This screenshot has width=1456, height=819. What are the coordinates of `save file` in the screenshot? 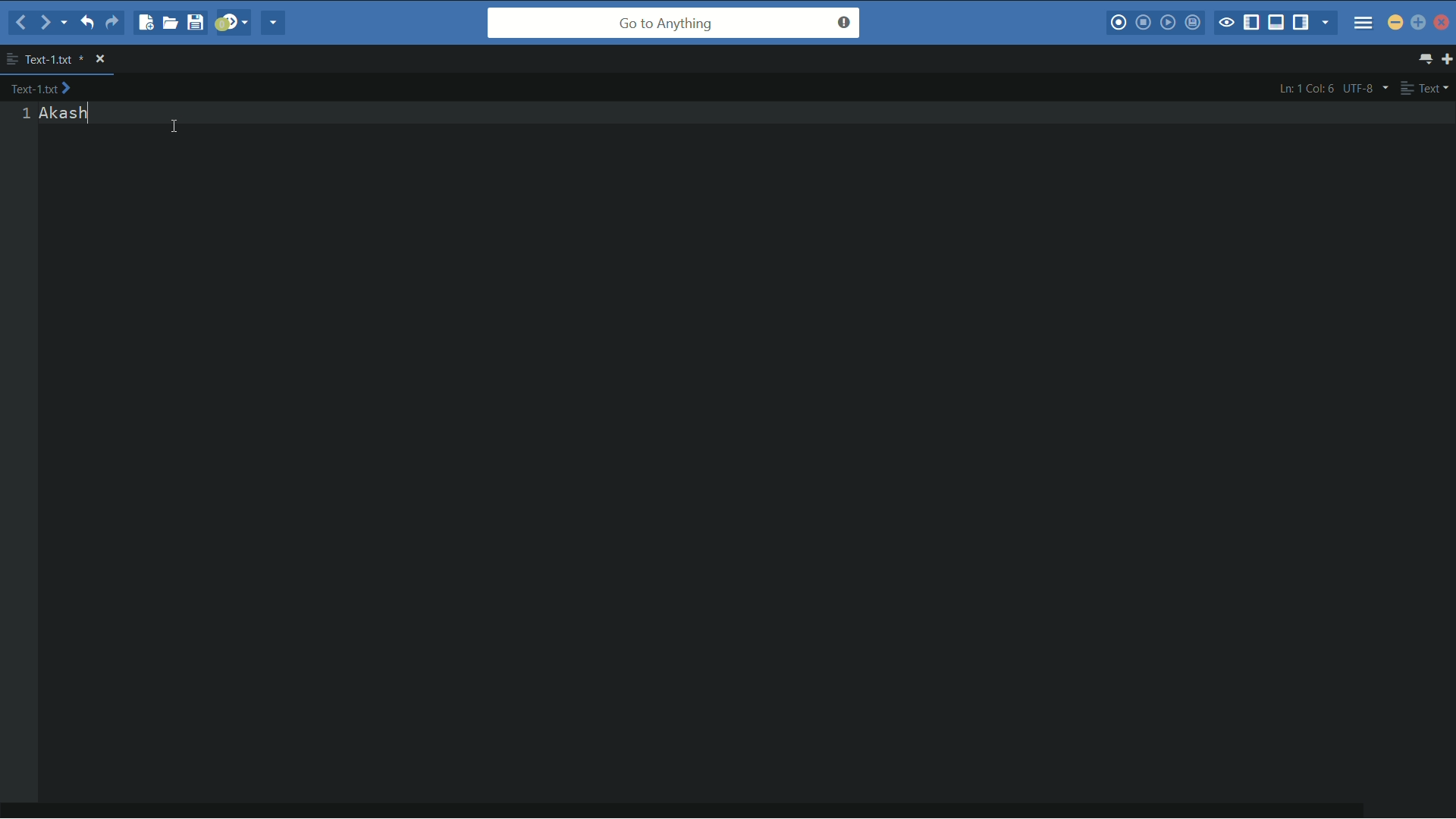 It's located at (195, 22).